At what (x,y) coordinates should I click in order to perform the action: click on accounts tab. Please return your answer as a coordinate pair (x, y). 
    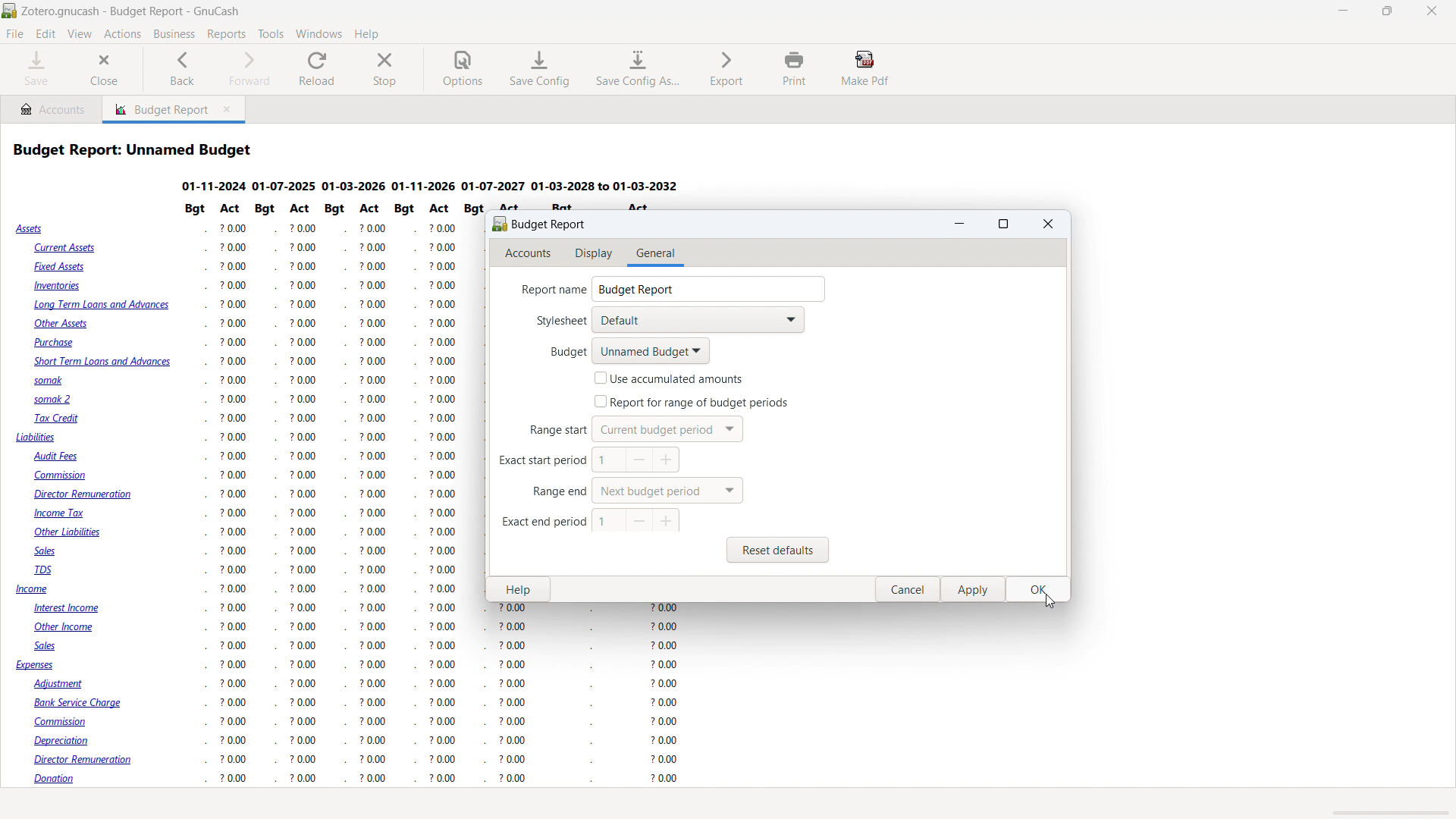
    Looking at the image, I should click on (52, 108).